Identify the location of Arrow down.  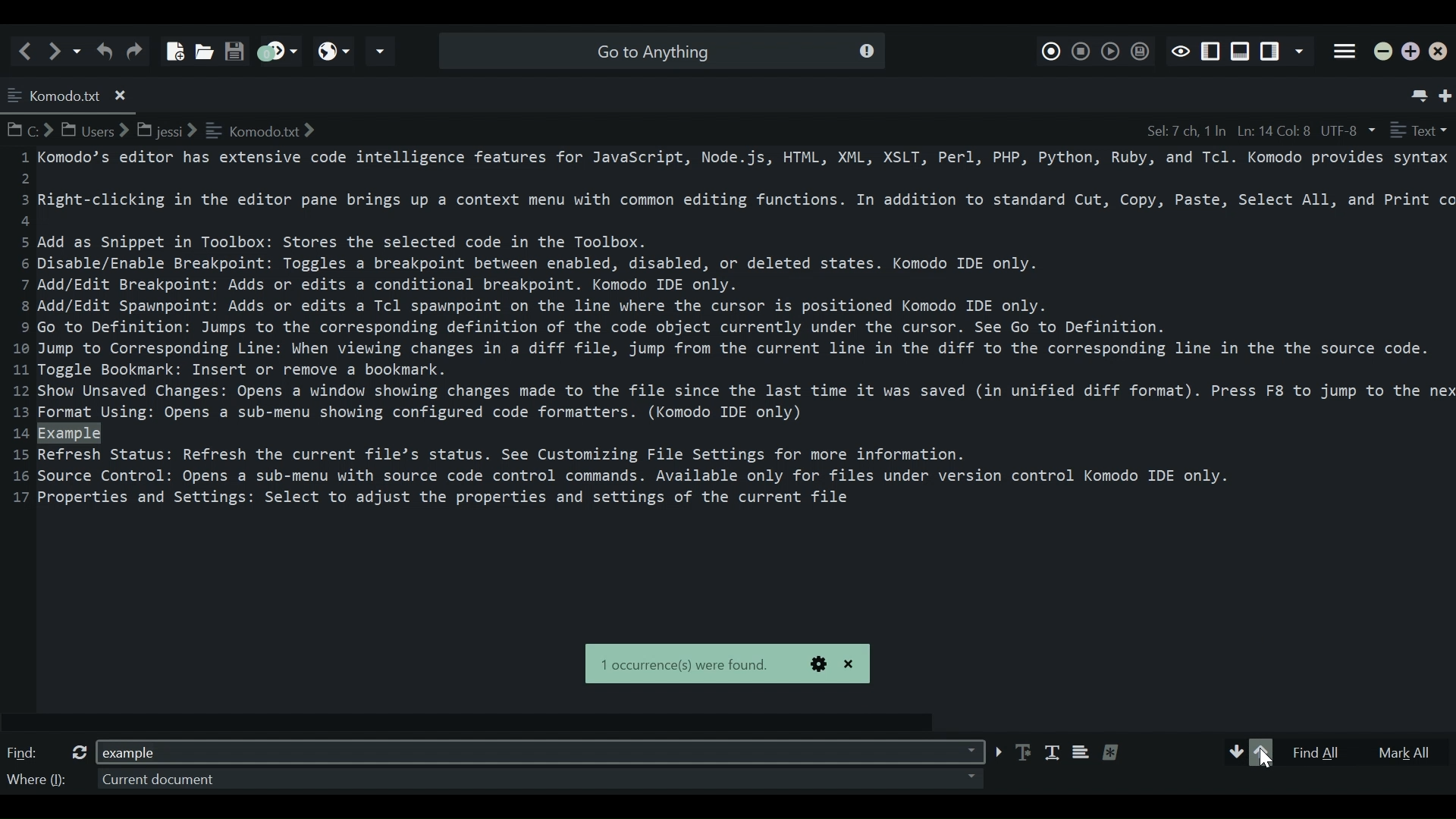
(1235, 752).